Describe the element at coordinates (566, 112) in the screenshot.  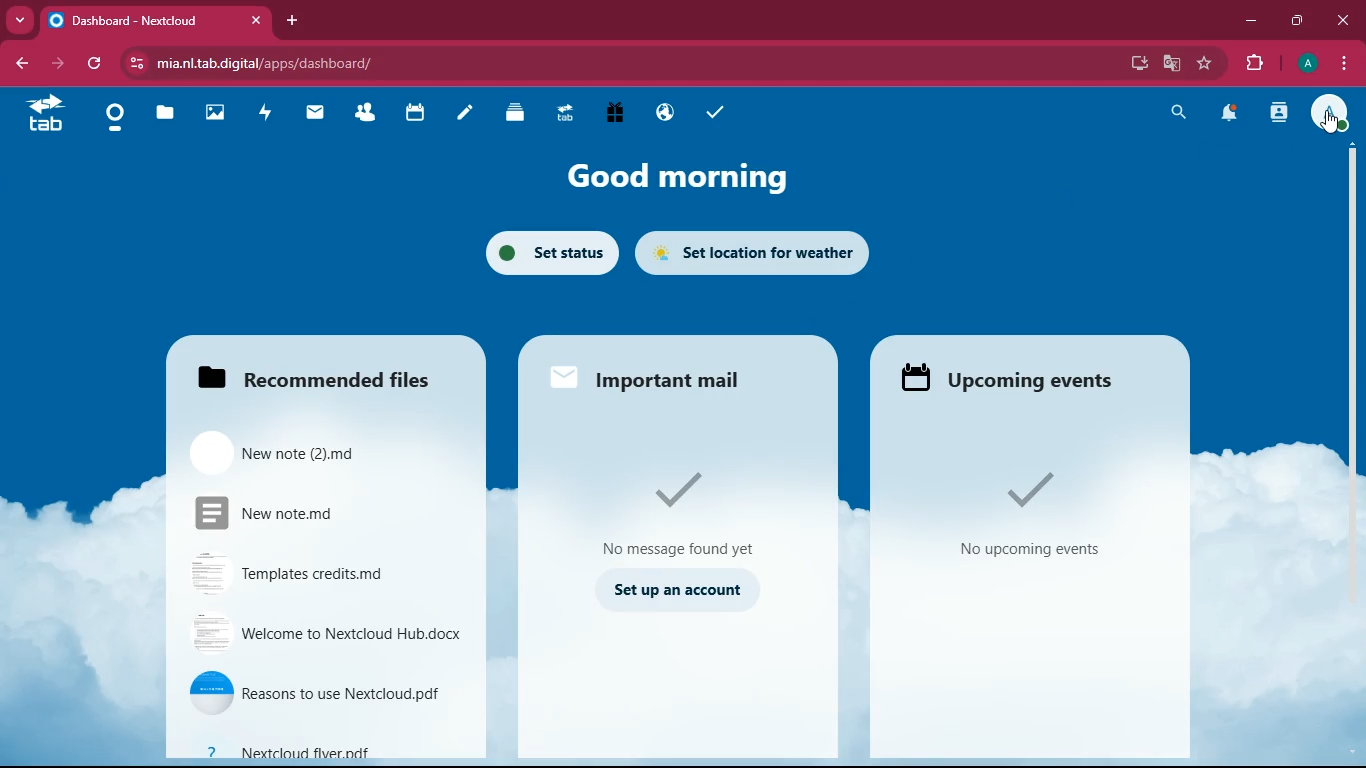
I see `tab` at that location.